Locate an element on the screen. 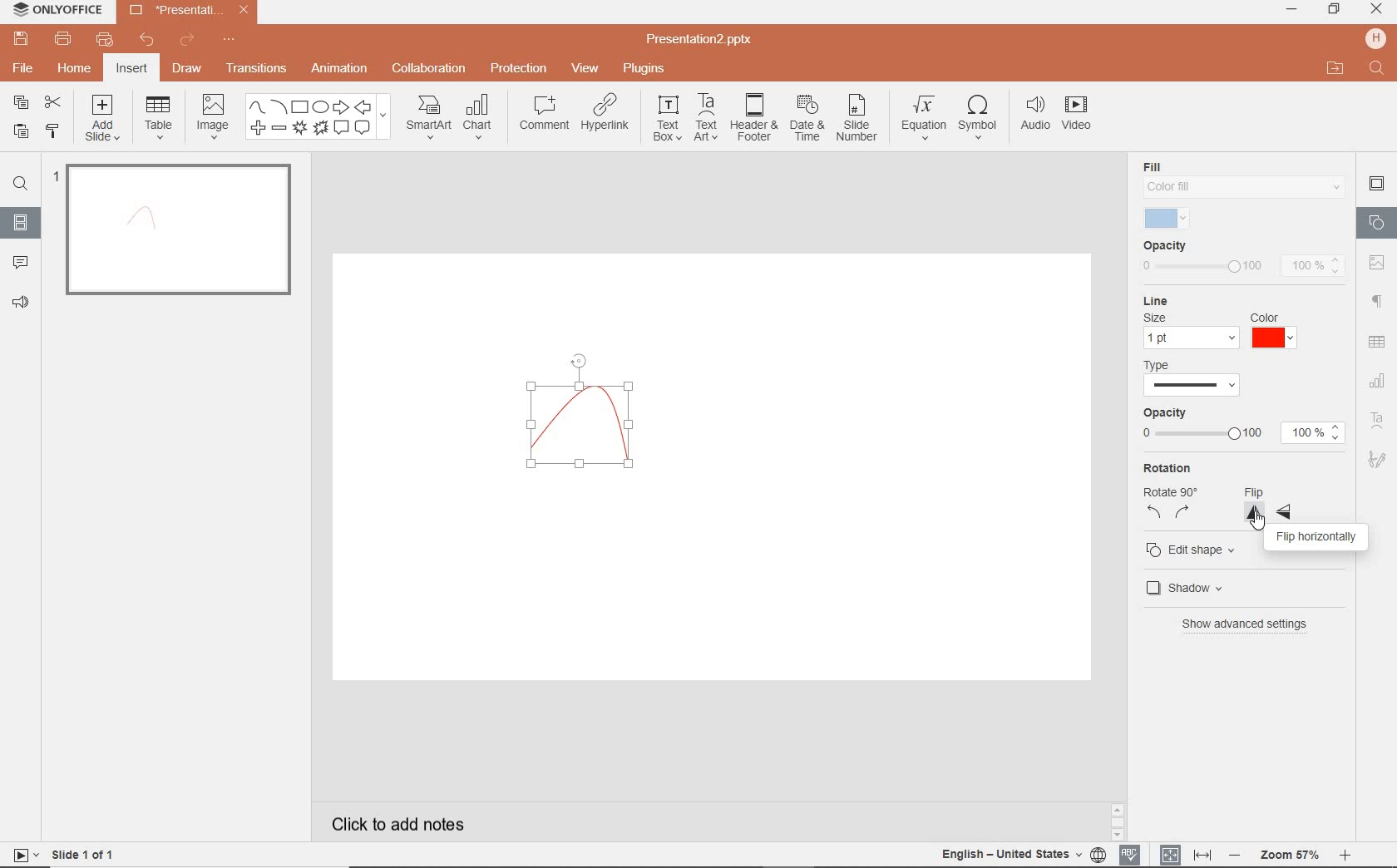  UNDO is located at coordinates (146, 42).